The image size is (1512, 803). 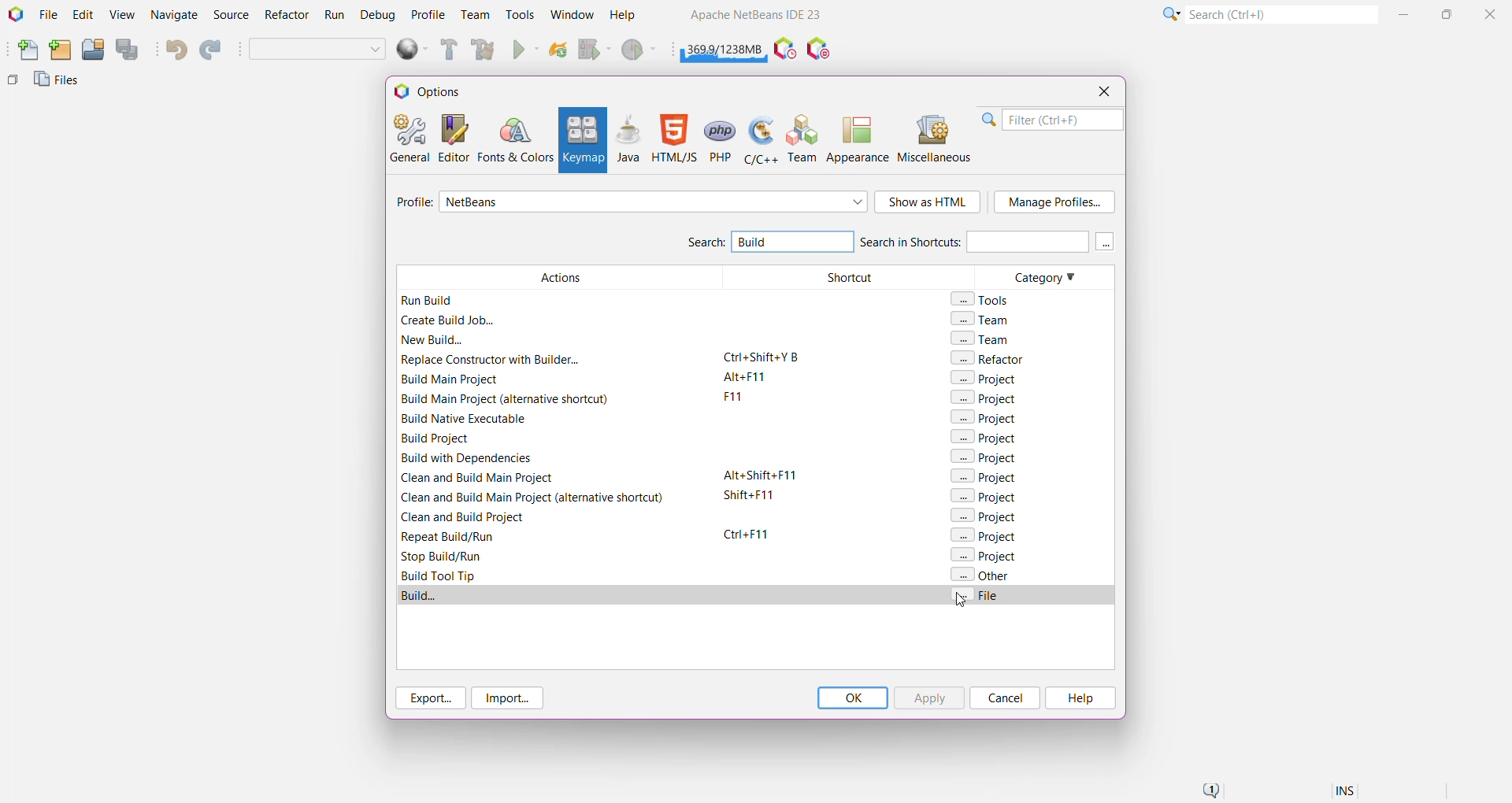 What do you see at coordinates (412, 50) in the screenshot?
I see `` at bounding box center [412, 50].